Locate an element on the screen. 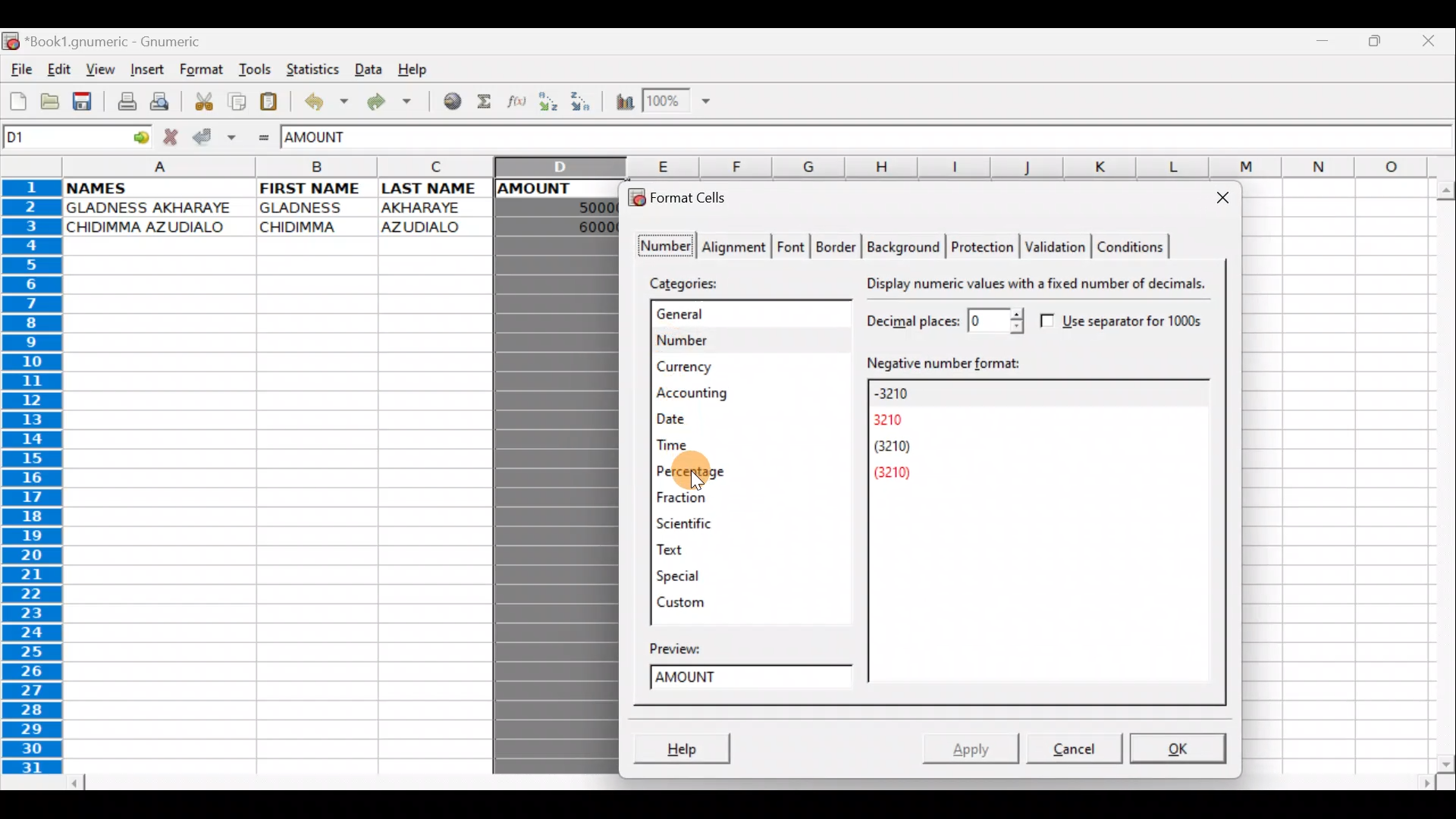  NAMES is located at coordinates (120, 188).